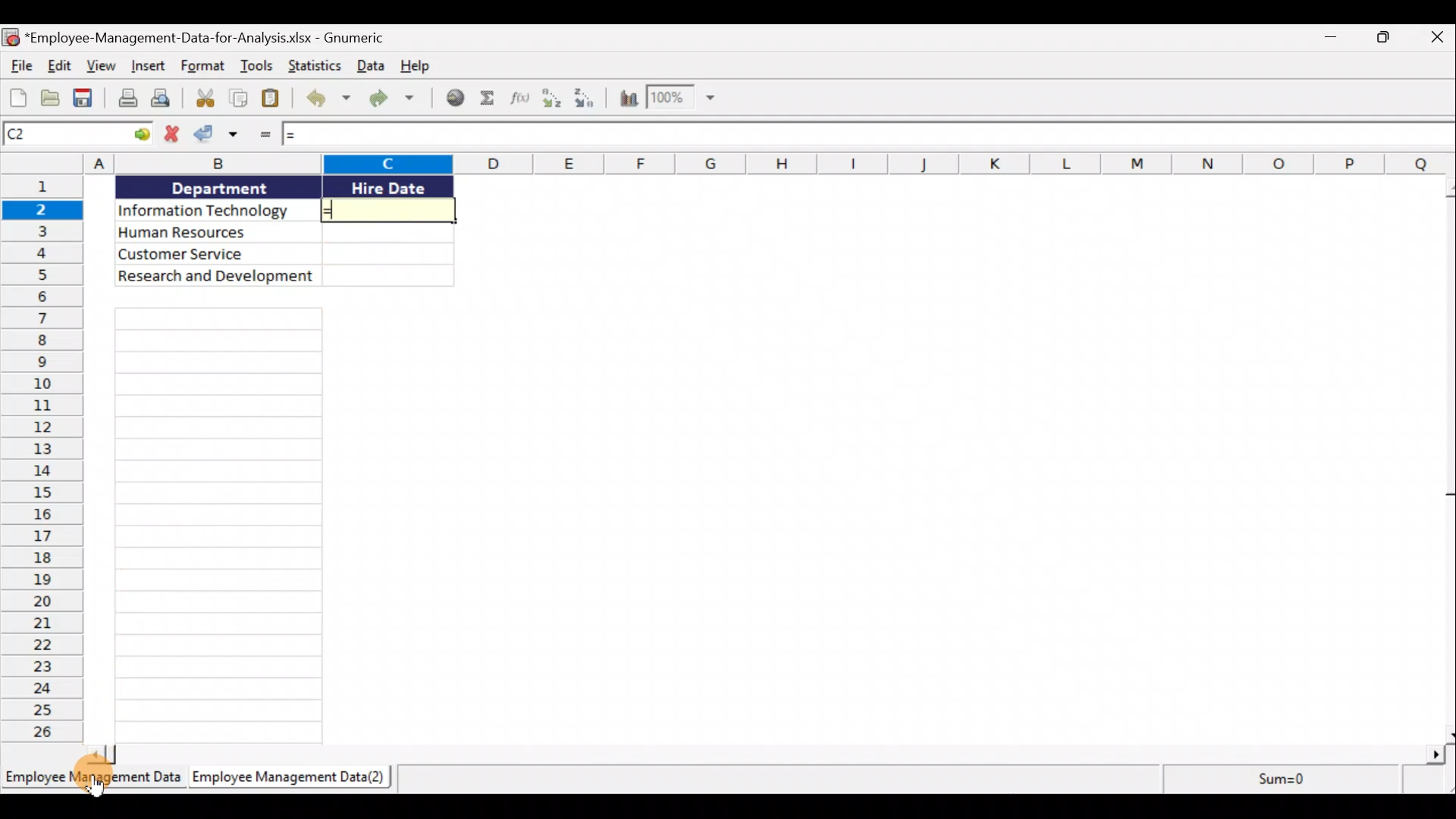 This screenshot has width=1456, height=819. What do you see at coordinates (260, 66) in the screenshot?
I see `Tools` at bounding box center [260, 66].